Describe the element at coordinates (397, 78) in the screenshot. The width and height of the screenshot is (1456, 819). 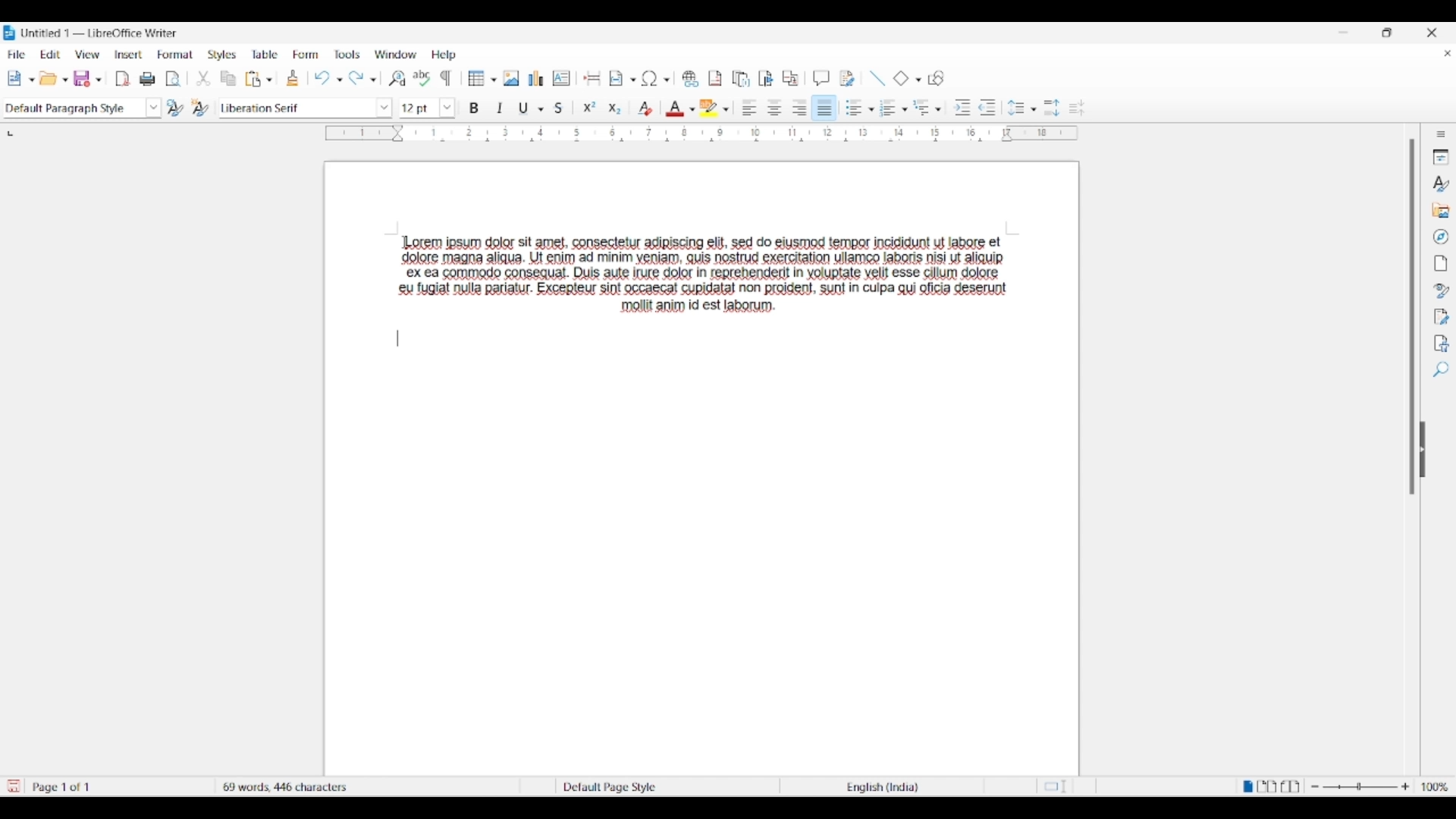
I see `Find and replace` at that location.